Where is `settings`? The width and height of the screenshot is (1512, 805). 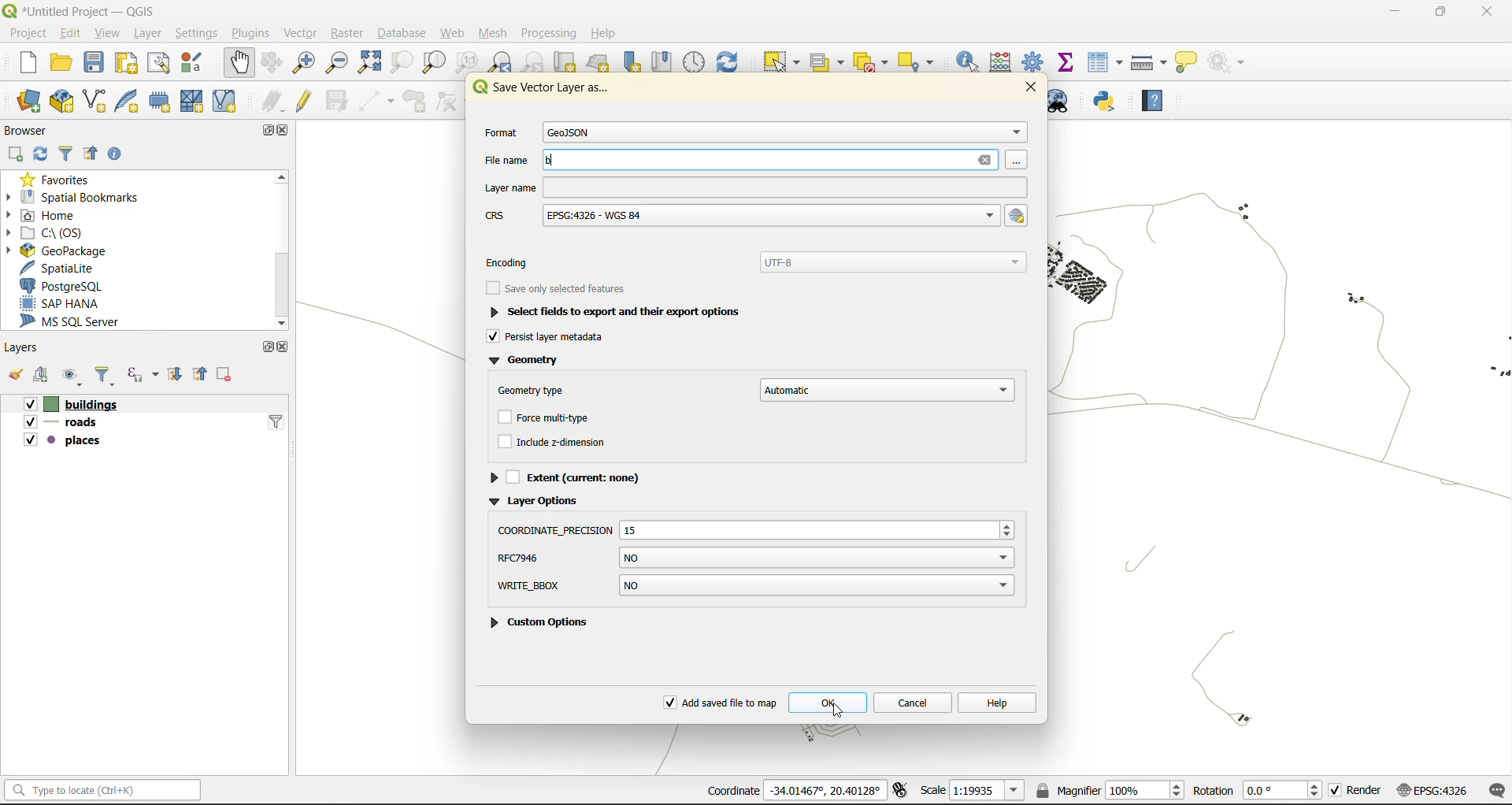 settings is located at coordinates (198, 32).